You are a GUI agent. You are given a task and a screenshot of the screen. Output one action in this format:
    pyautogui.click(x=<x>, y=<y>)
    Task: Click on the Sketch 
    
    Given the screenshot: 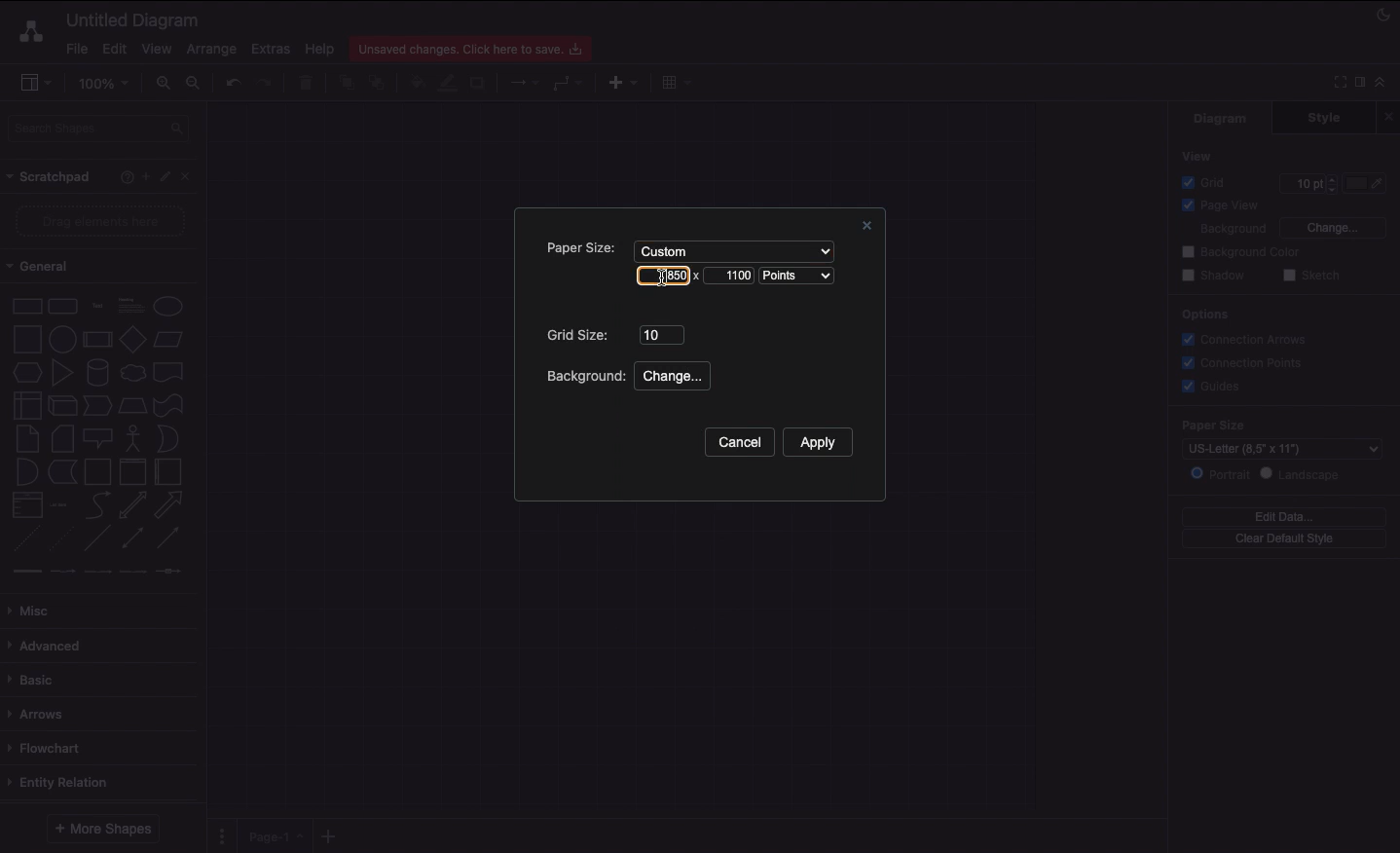 What is the action you would take?
    pyautogui.click(x=1312, y=277)
    